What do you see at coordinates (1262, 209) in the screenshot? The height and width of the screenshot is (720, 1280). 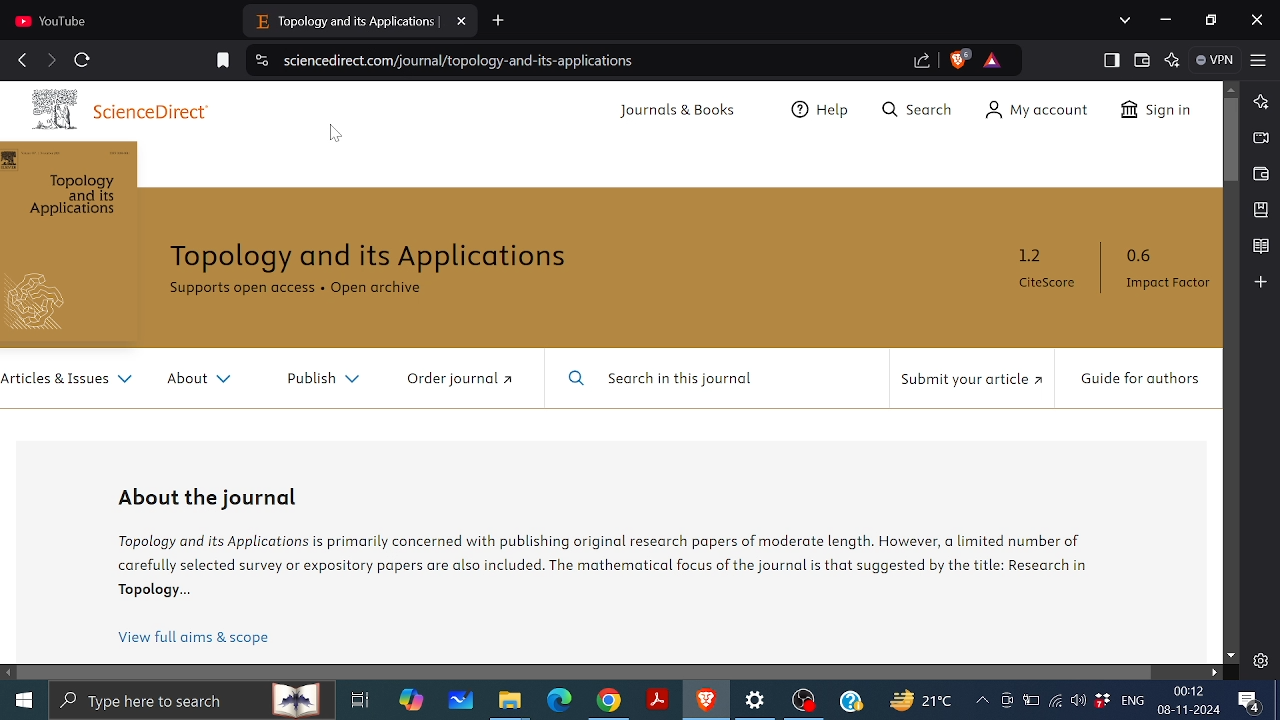 I see `Bookmarks` at bounding box center [1262, 209].